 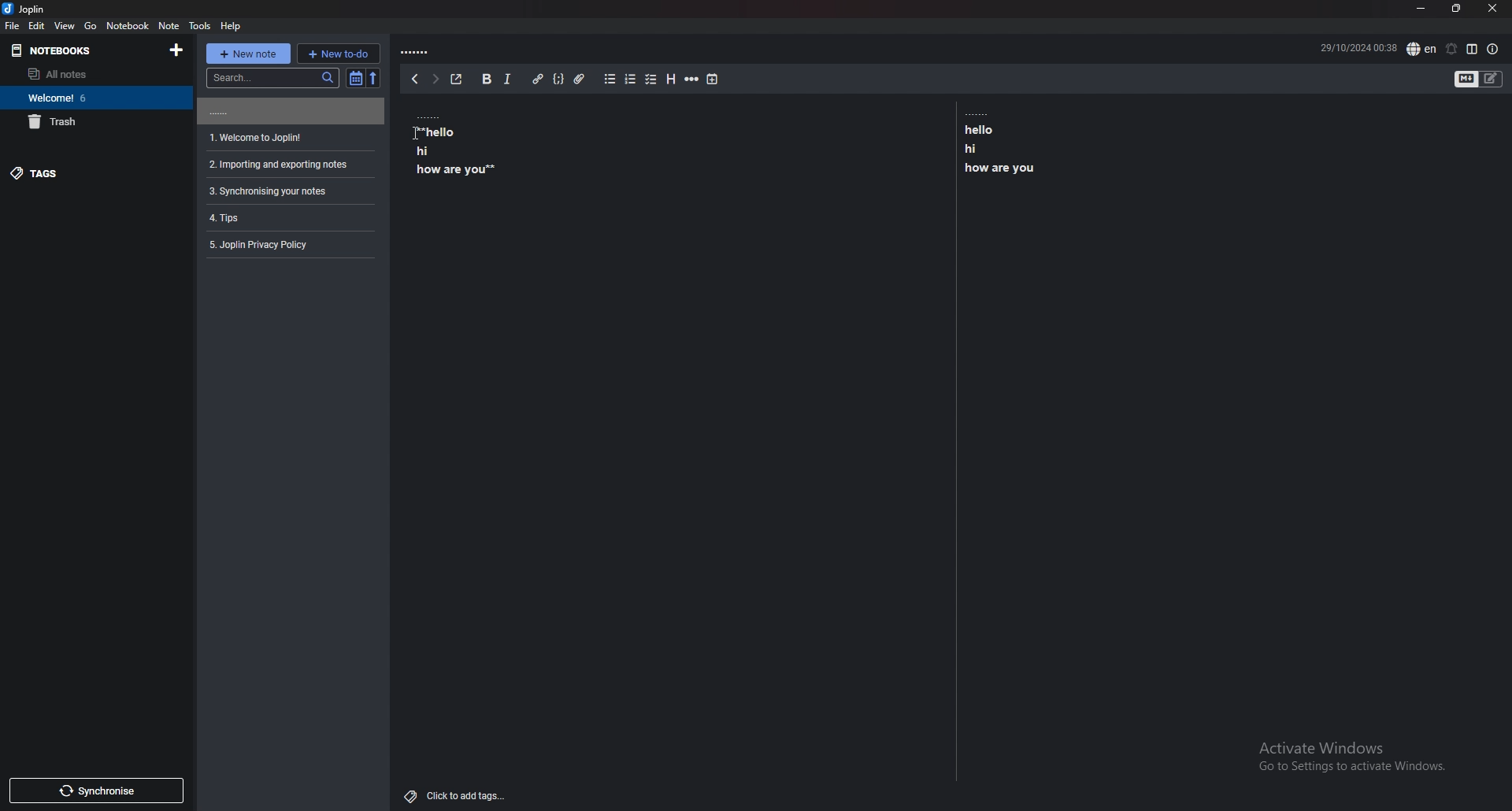 I want to click on add hyperlink, so click(x=539, y=79).